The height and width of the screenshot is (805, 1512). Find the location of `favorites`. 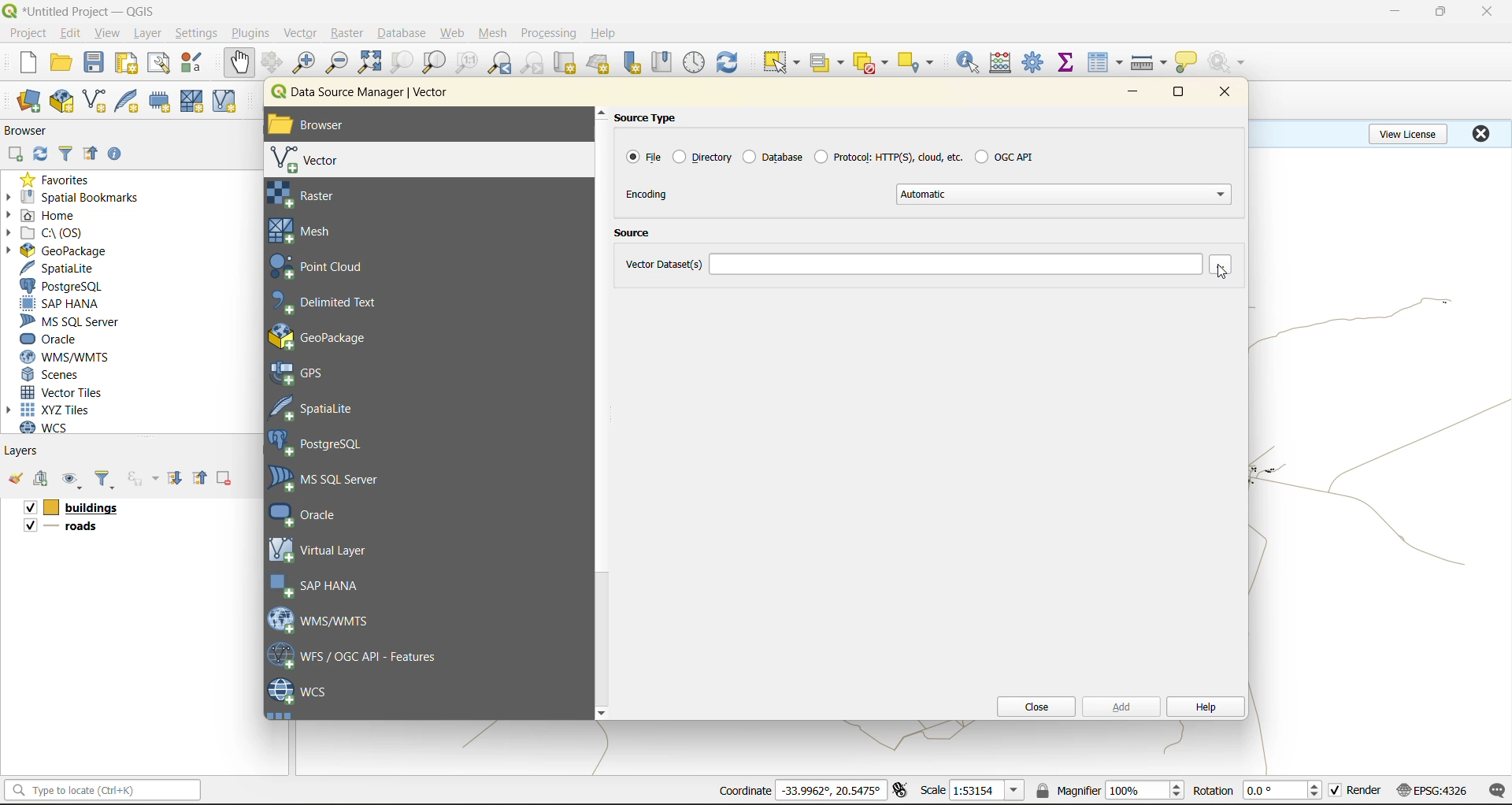

favorites is located at coordinates (61, 179).